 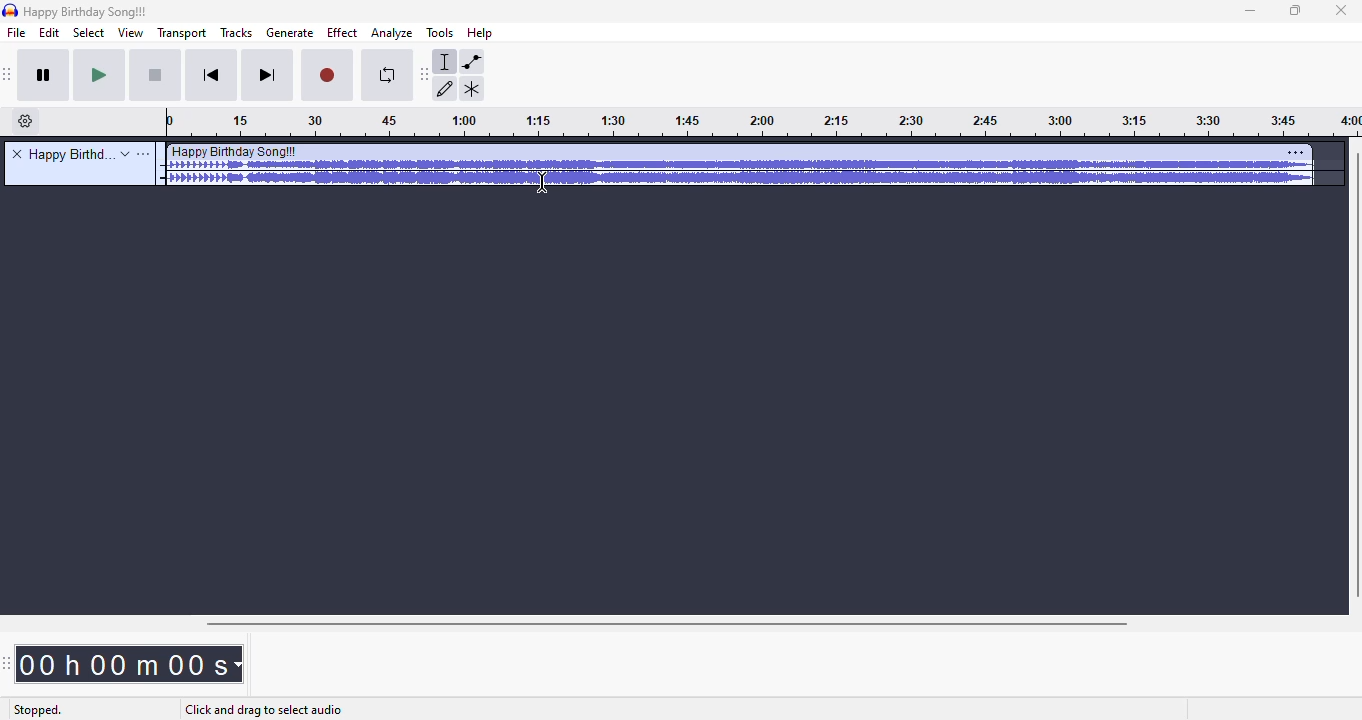 I want to click on draw tool, so click(x=446, y=89).